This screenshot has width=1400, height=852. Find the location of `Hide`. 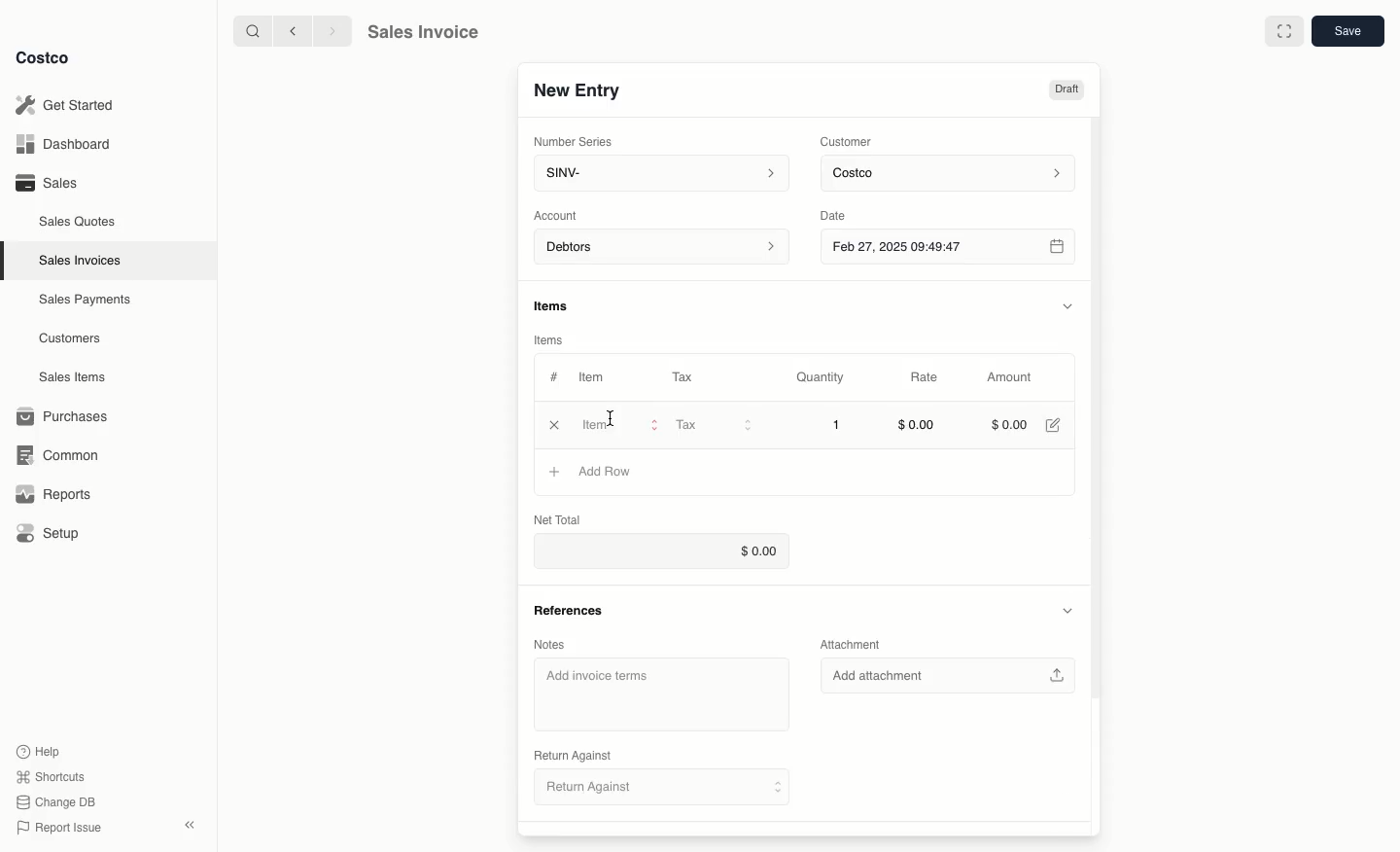

Hide is located at coordinates (1067, 611).